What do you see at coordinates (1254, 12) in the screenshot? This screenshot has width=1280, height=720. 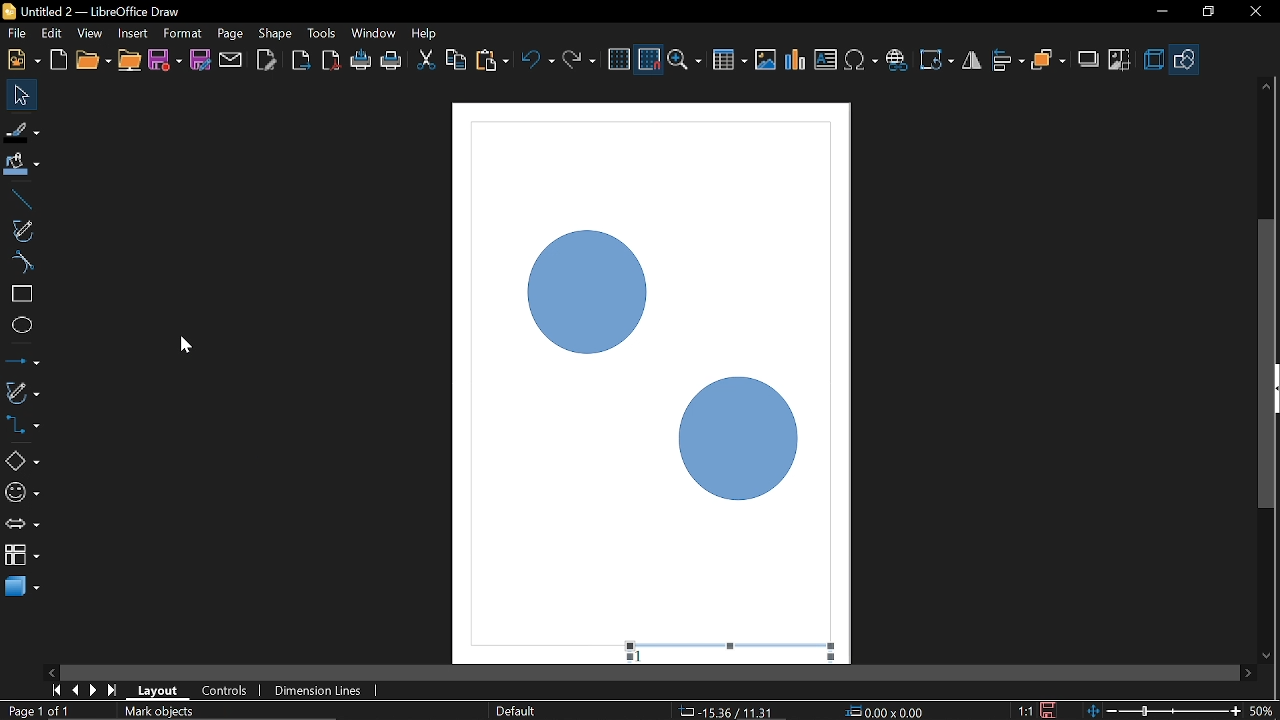 I see `CLose` at bounding box center [1254, 12].